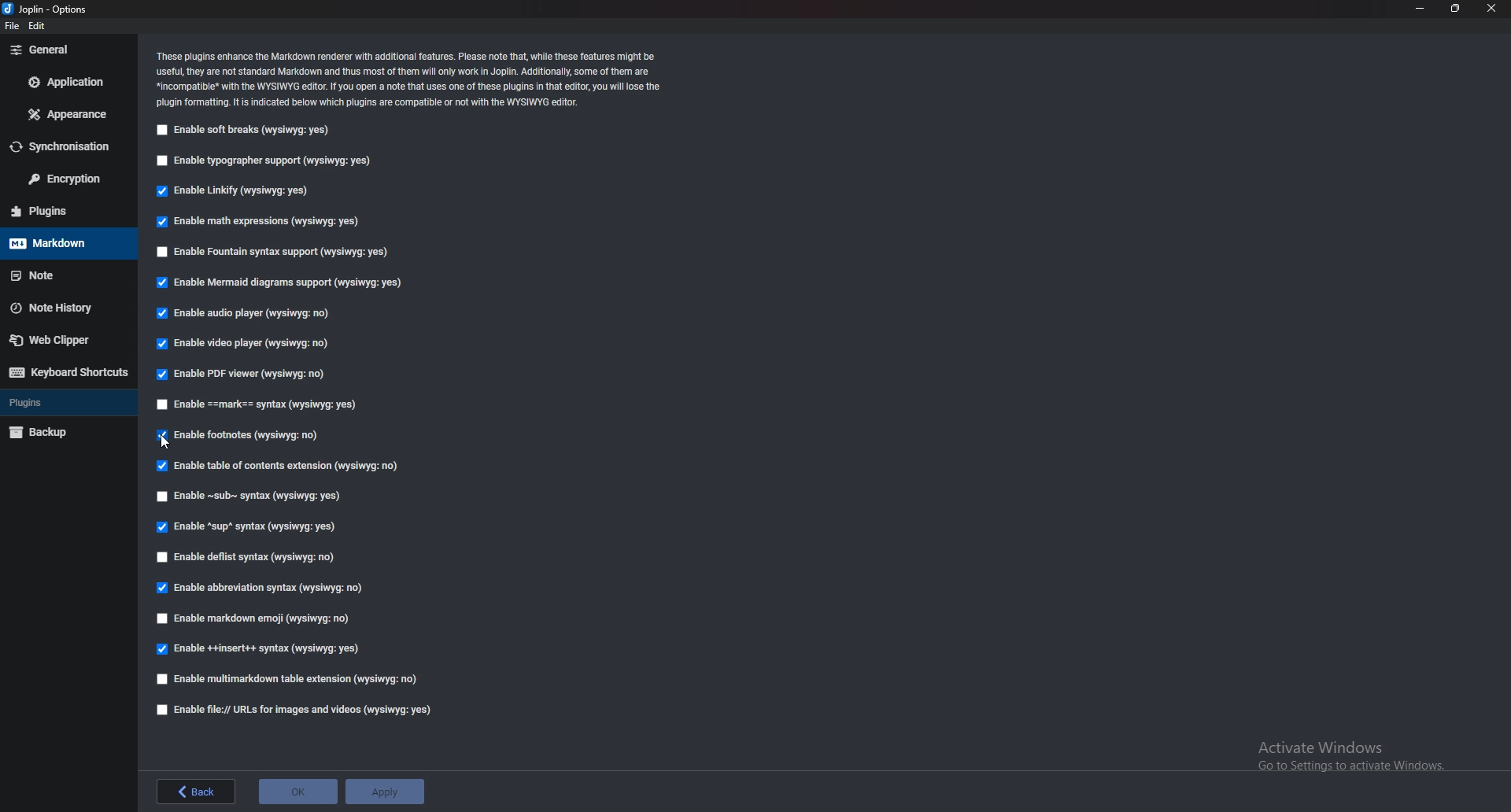 Image resolution: width=1511 pixels, height=812 pixels. Describe the element at coordinates (259, 618) in the screenshot. I see `enable Markdown Emoji` at that location.